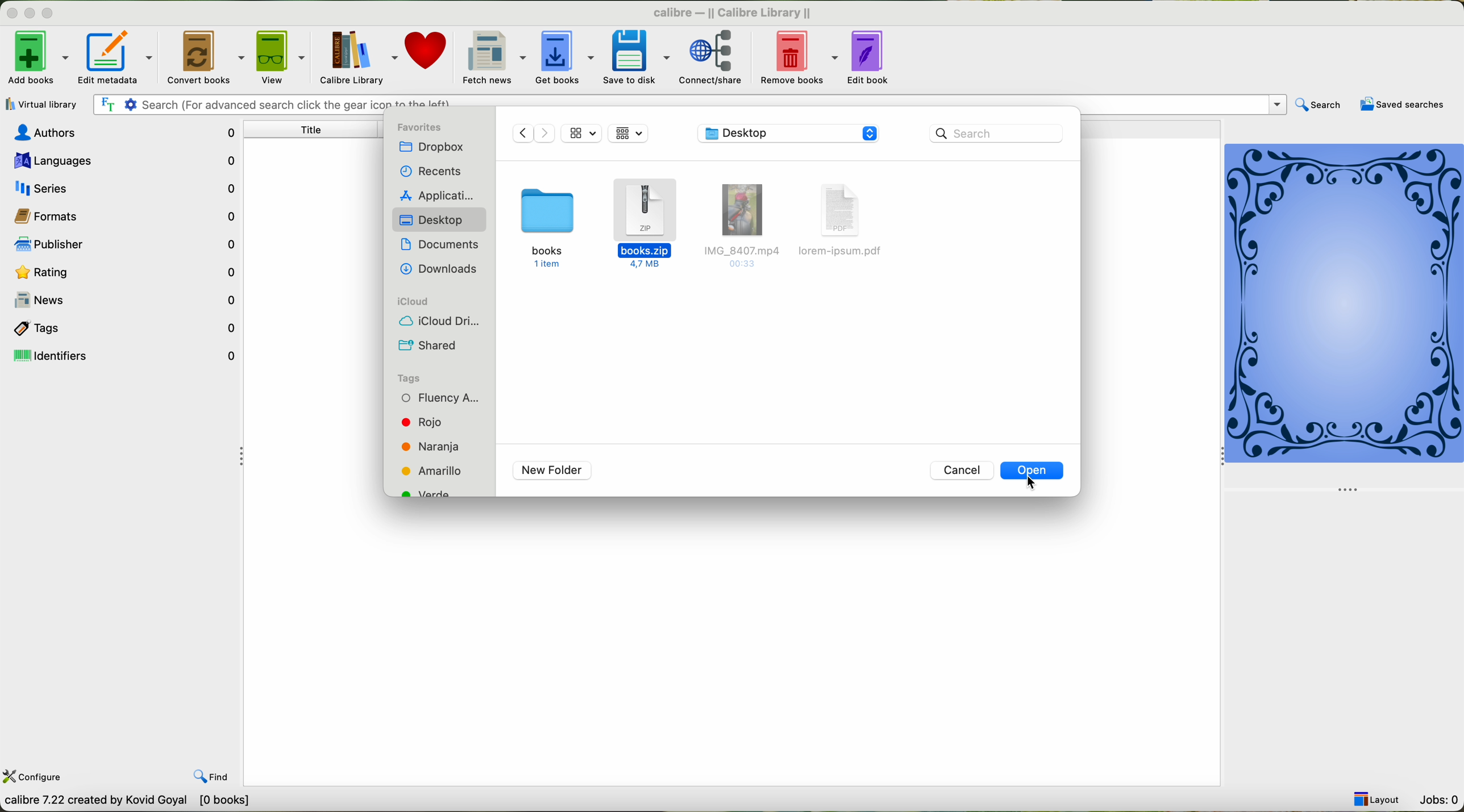 This screenshot has height=812, width=1464. I want to click on calibre-II Callibre Library II, so click(728, 10).